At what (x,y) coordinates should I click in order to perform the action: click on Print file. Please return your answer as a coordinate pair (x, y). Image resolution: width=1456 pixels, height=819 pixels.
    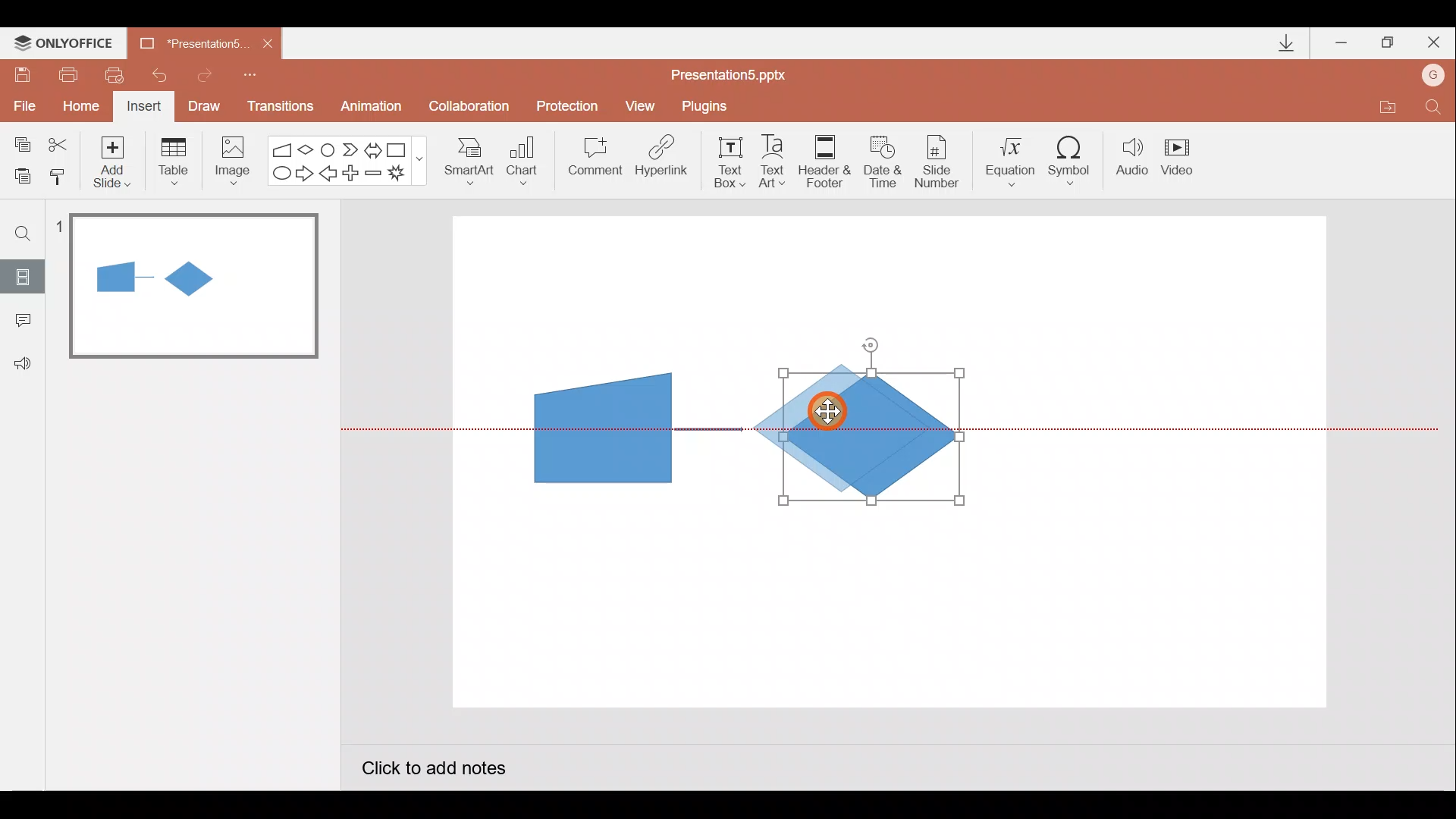
    Looking at the image, I should click on (65, 74).